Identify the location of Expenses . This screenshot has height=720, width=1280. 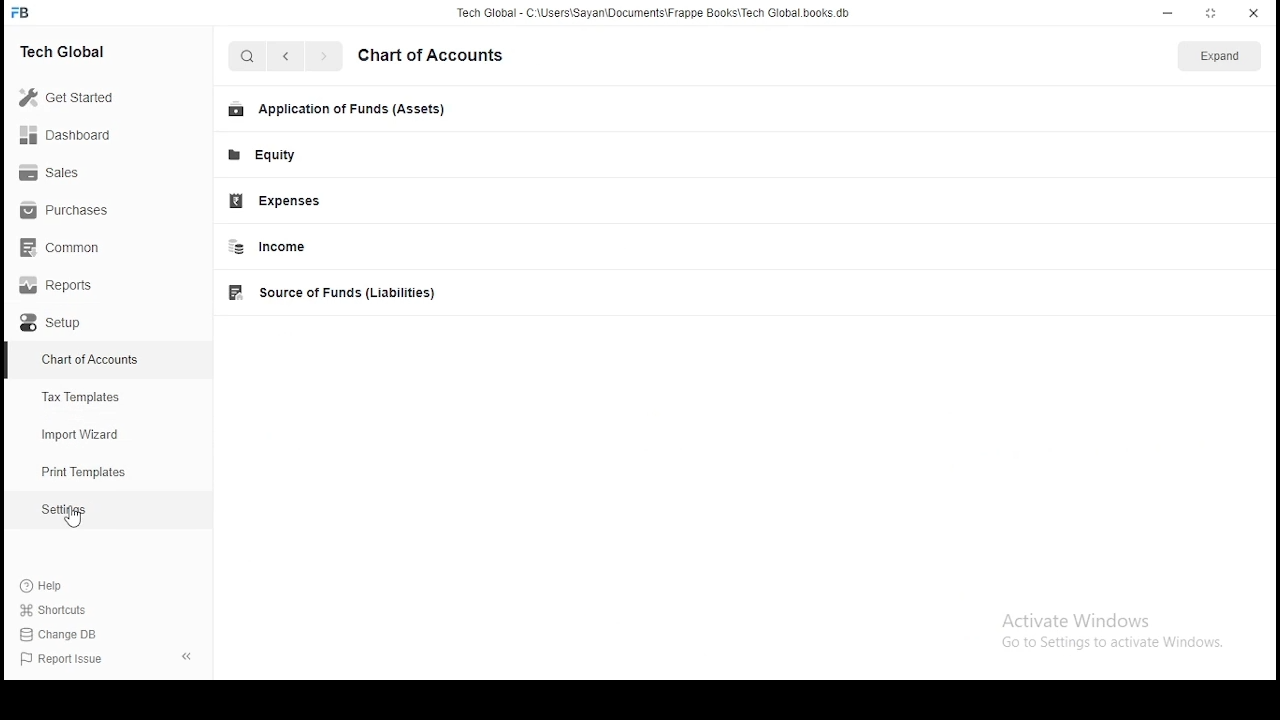
(298, 201).